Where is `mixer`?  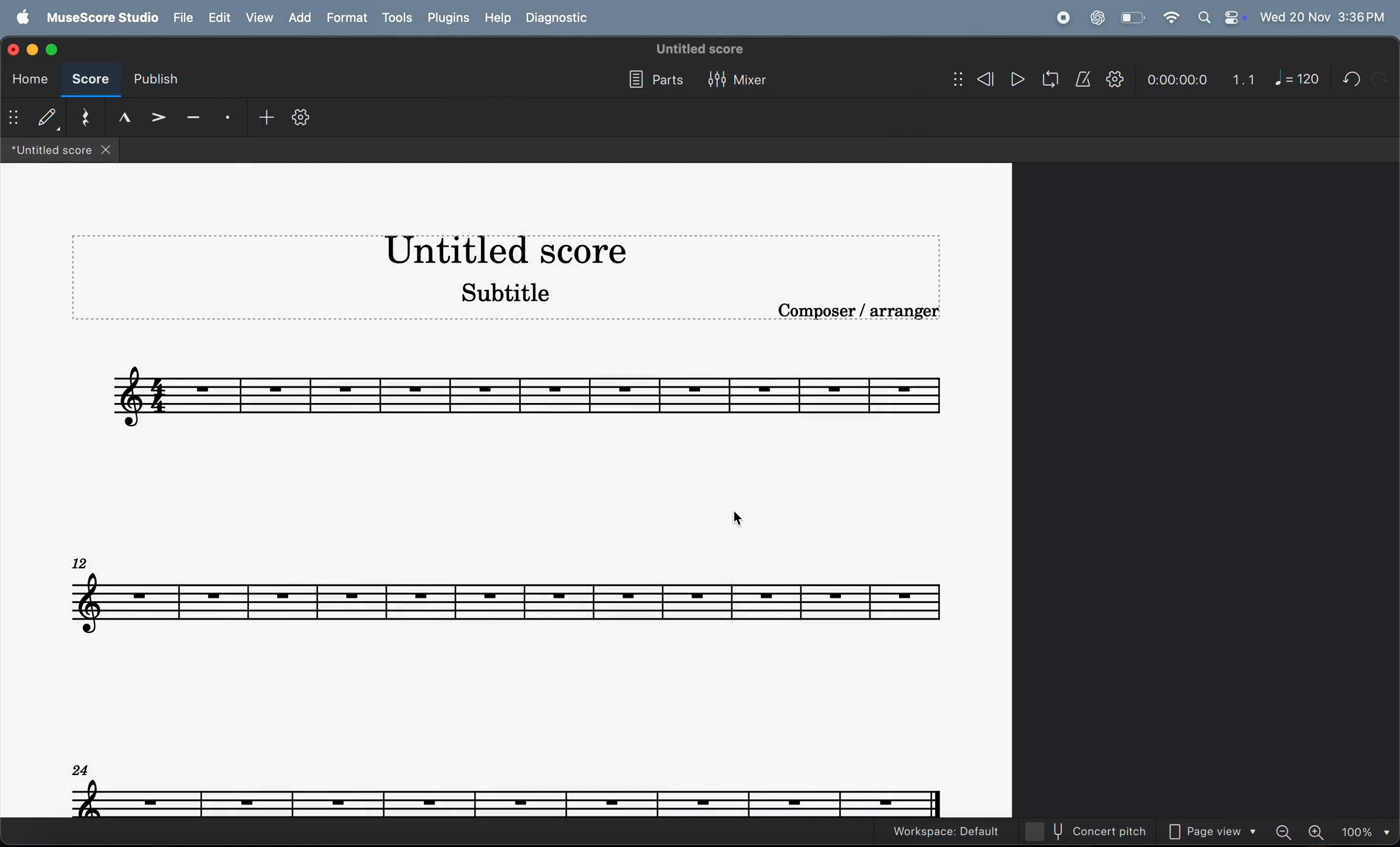 mixer is located at coordinates (740, 81).